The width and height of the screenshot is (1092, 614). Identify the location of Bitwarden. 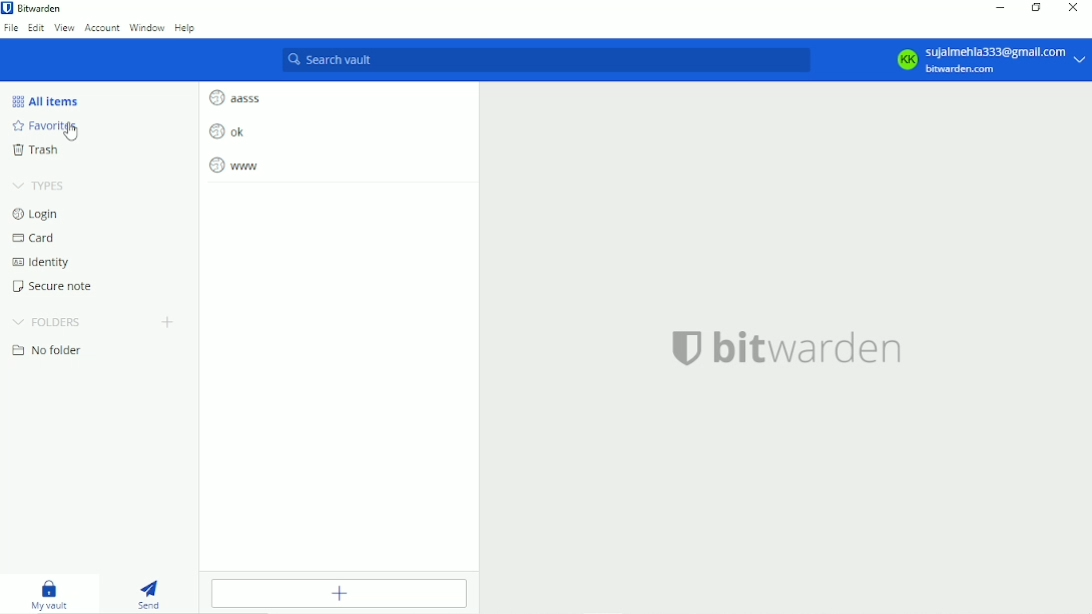
(36, 9).